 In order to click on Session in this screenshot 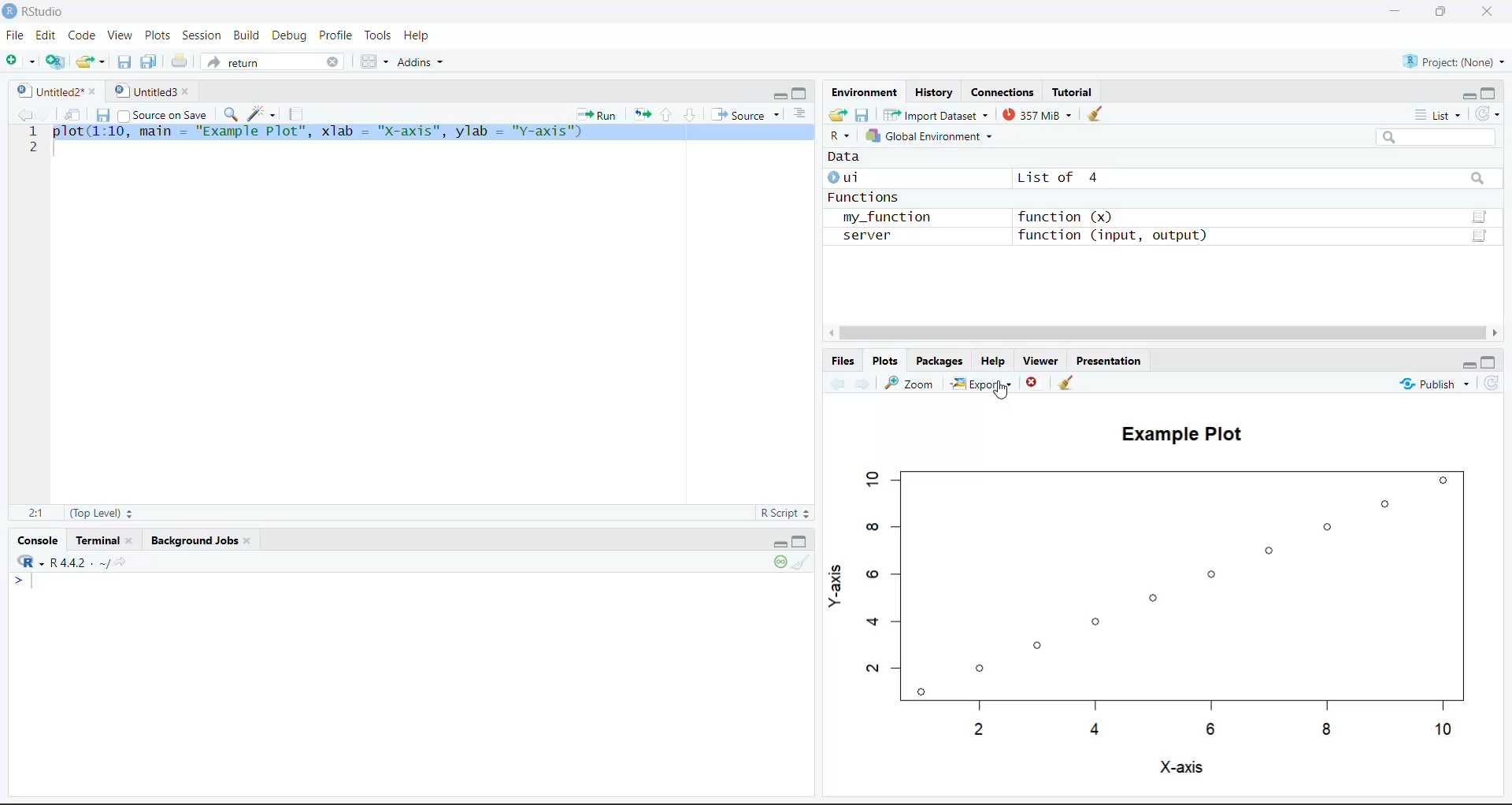, I will do `click(202, 34)`.